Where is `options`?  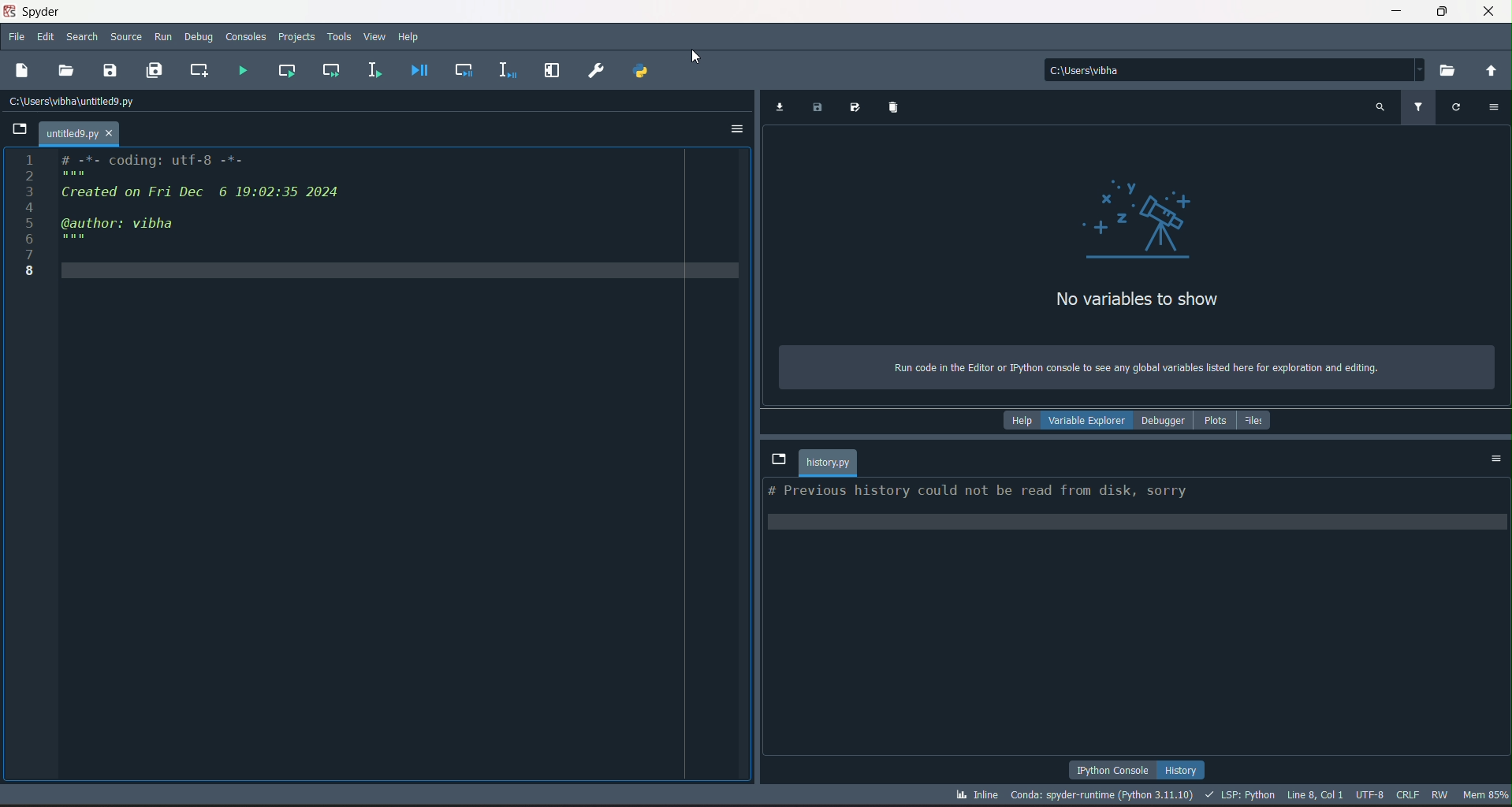
options is located at coordinates (736, 128).